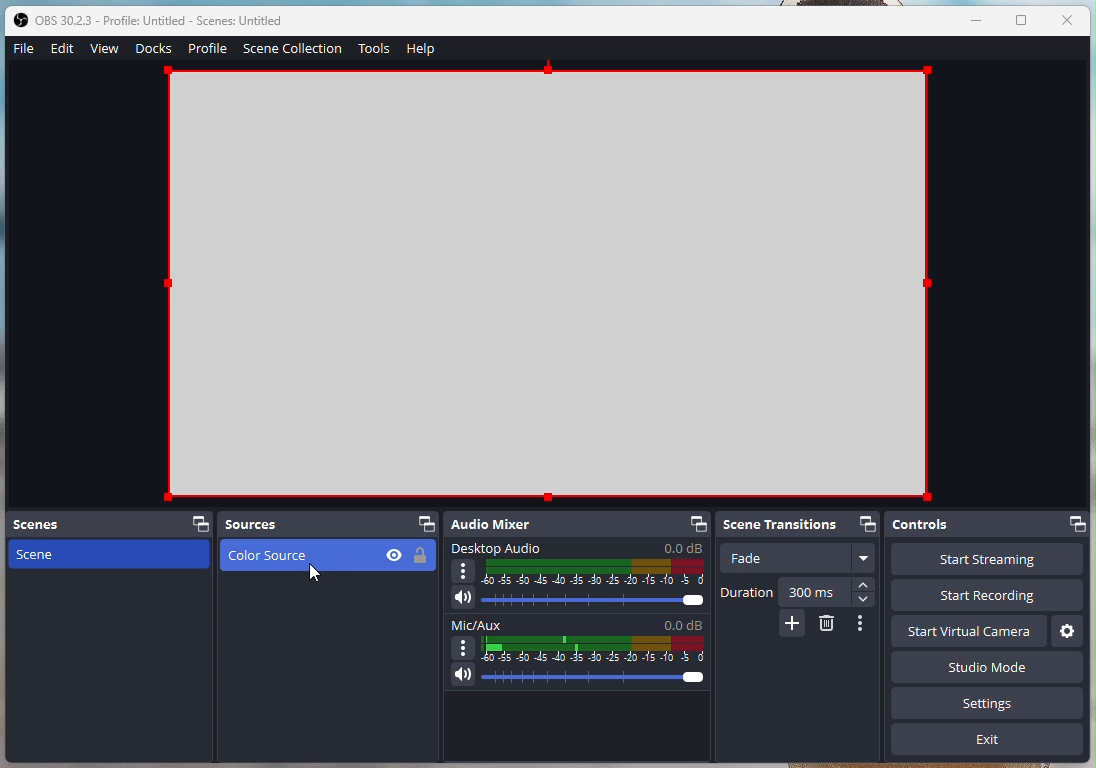  I want to click on Settings, so click(991, 706).